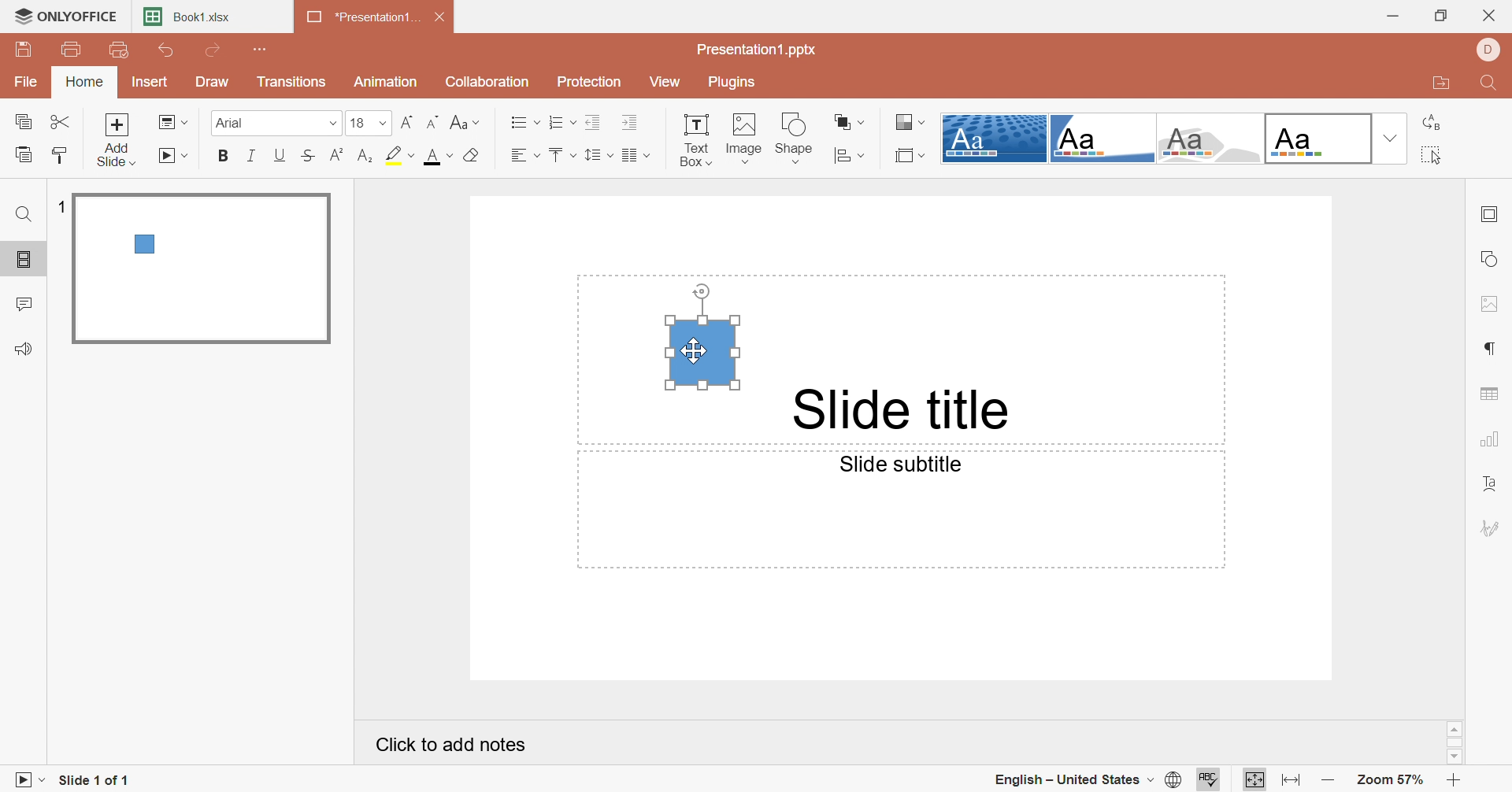 This screenshot has height=792, width=1512. Describe the element at coordinates (172, 123) in the screenshot. I see `Change layout` at that location.